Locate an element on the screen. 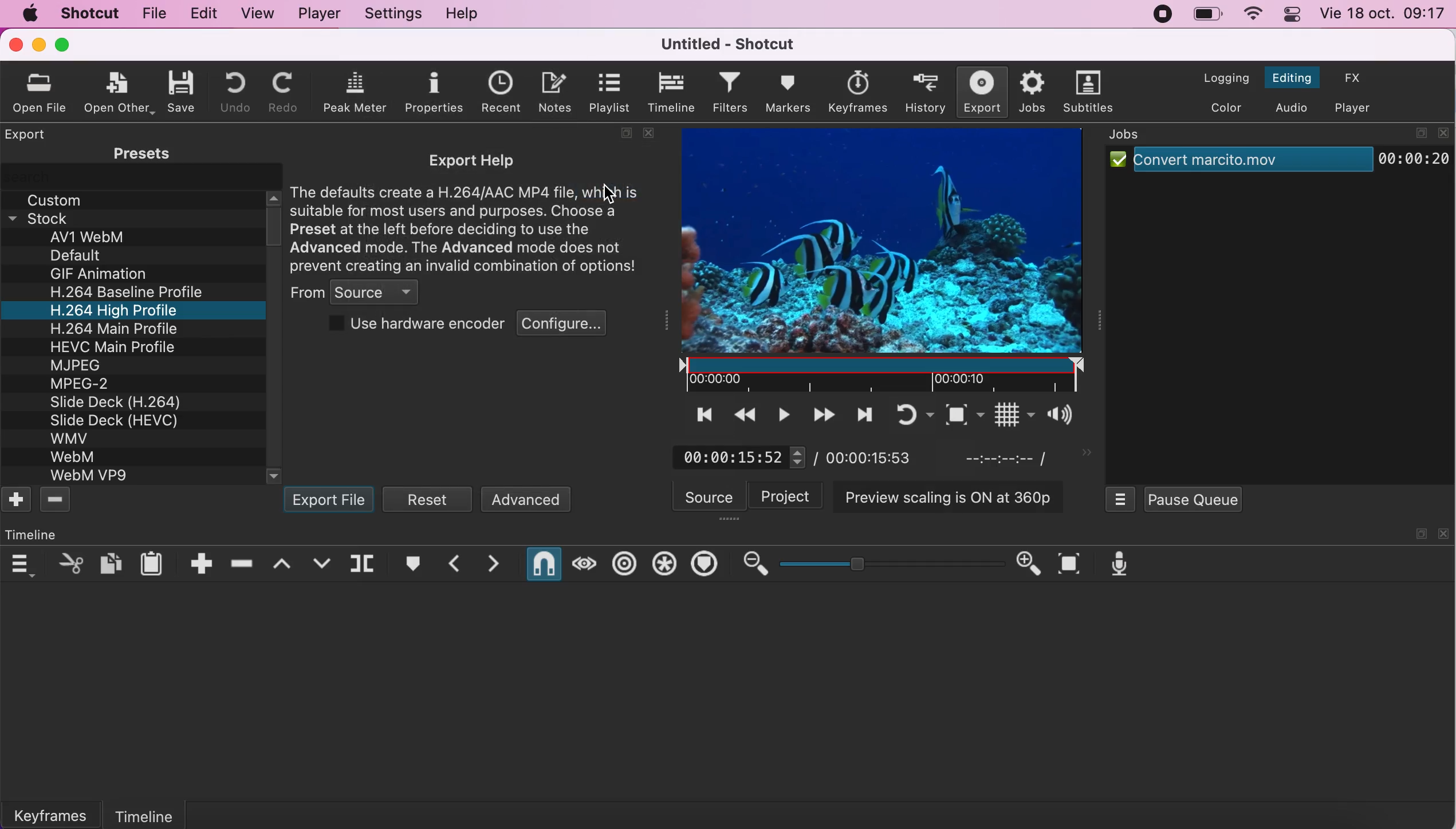 This screenshot has width=1456, height=829. time line panel is located at coordinates (34, 534).